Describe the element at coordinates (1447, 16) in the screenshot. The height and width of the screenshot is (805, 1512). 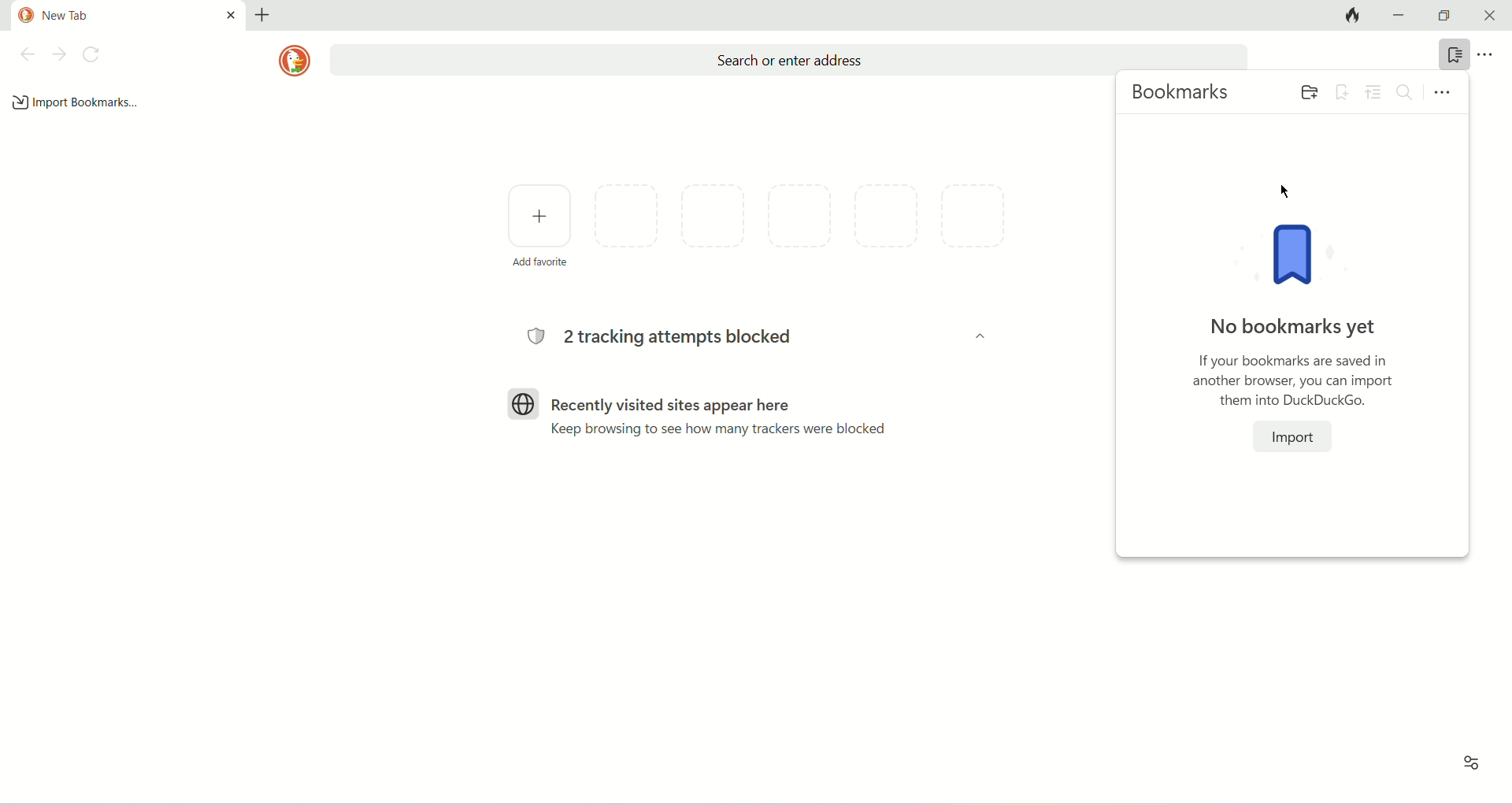
I see `maximize` at that location.